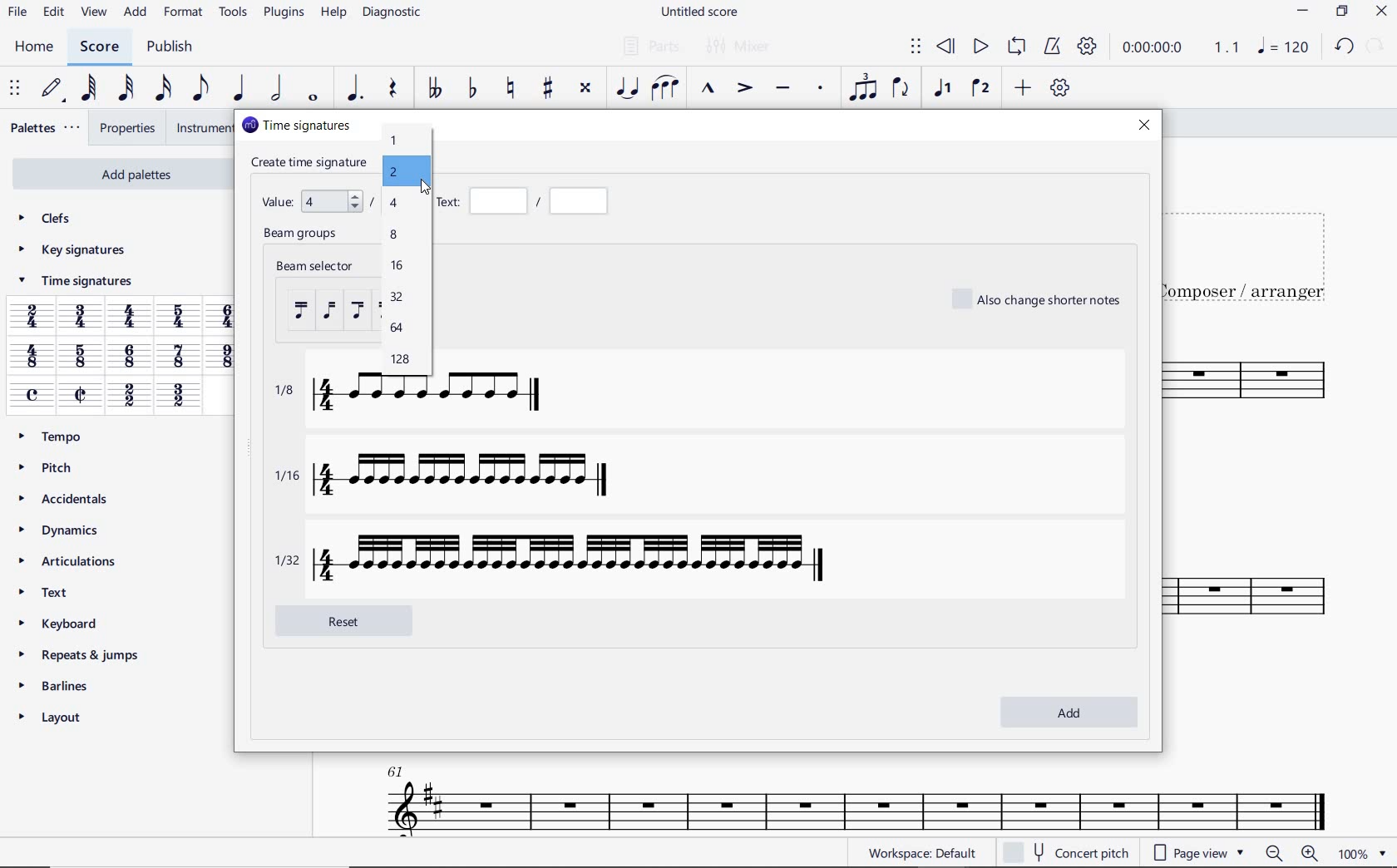  Describe the element at coordinates (57, 436) in the screenshot. I see `TEMPO` at that location.